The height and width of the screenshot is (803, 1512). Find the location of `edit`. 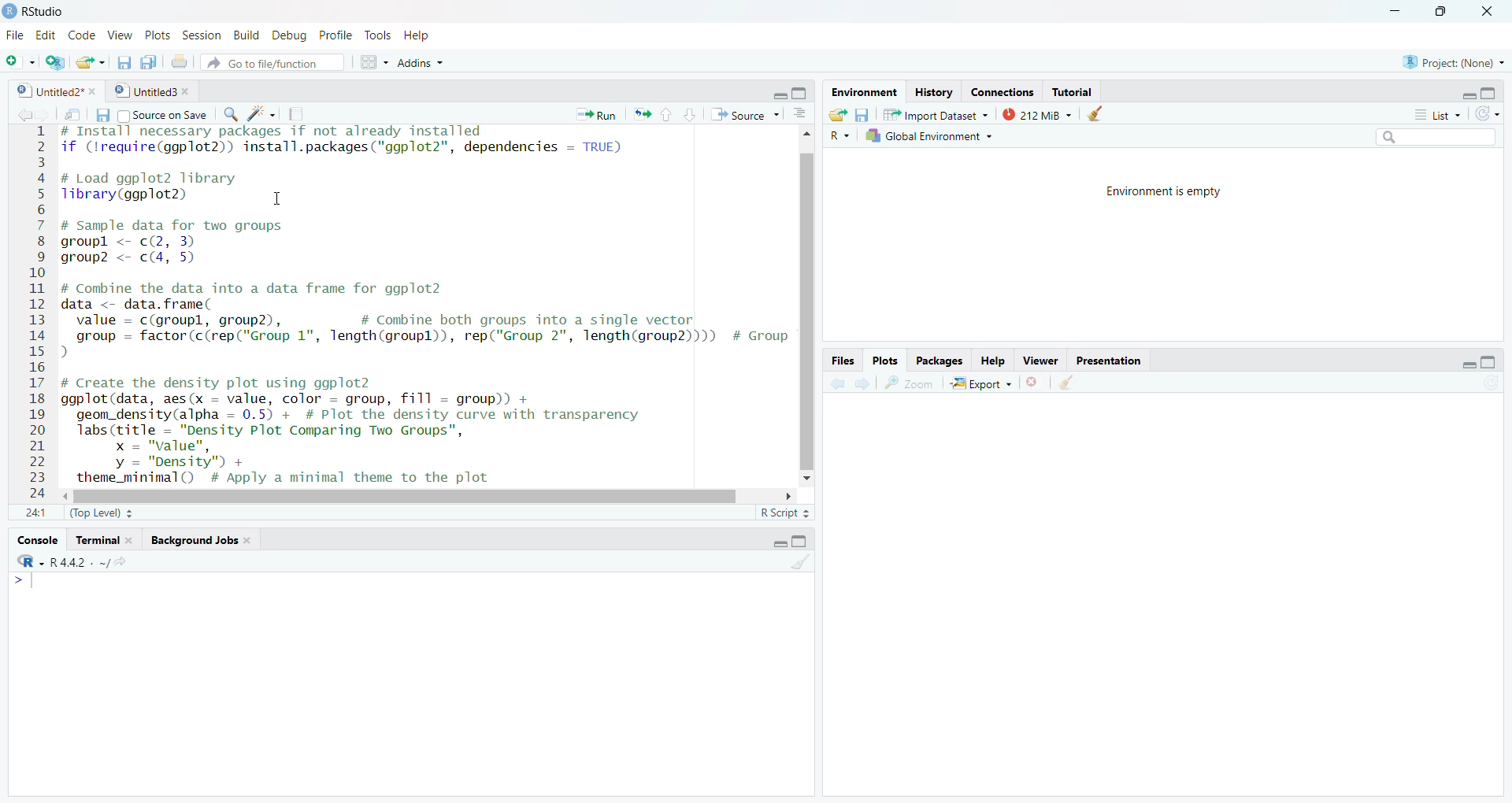

edit is located at coordinates (44, 33).